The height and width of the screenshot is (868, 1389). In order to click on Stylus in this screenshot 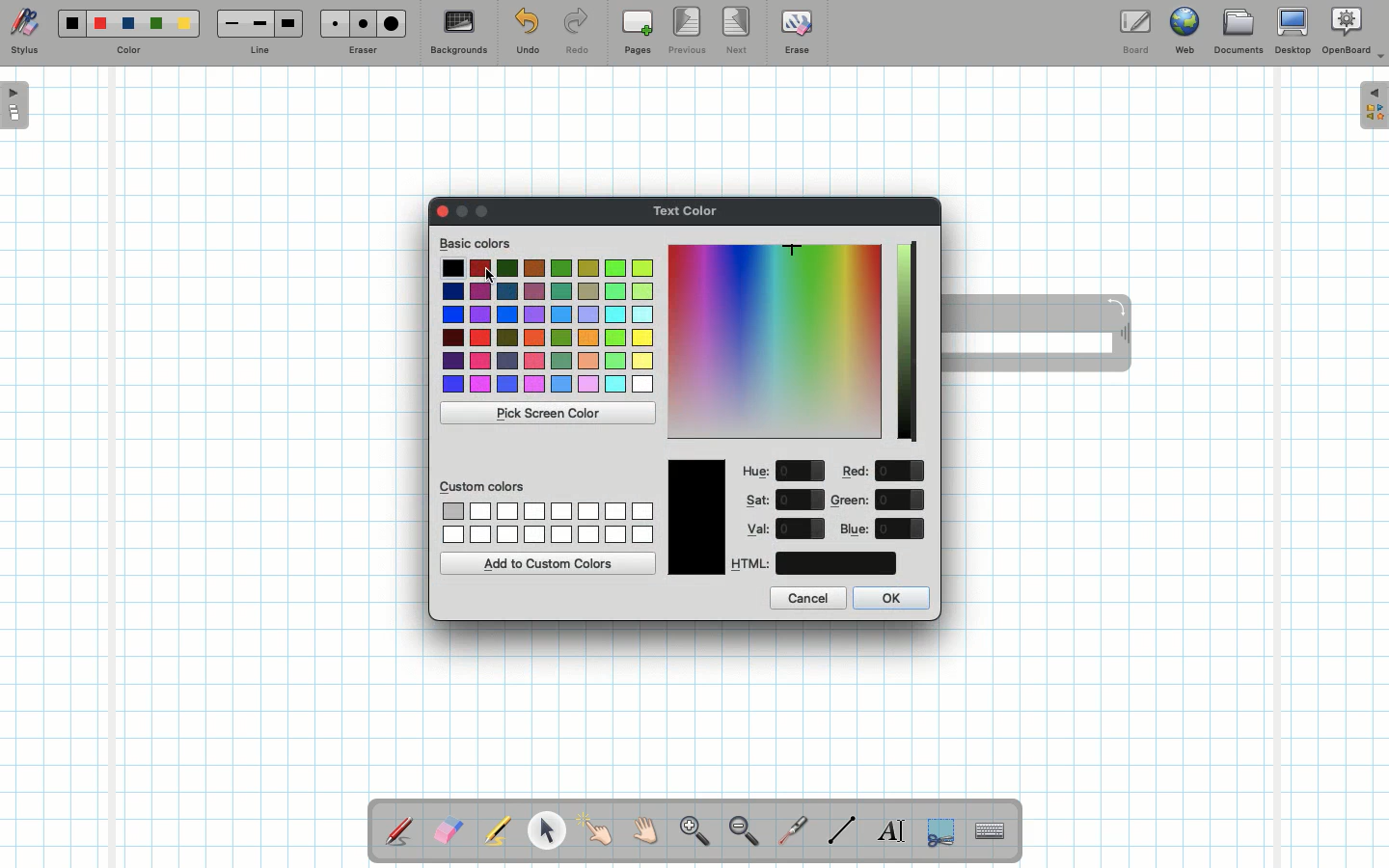, I will do `click(400, 830)`.